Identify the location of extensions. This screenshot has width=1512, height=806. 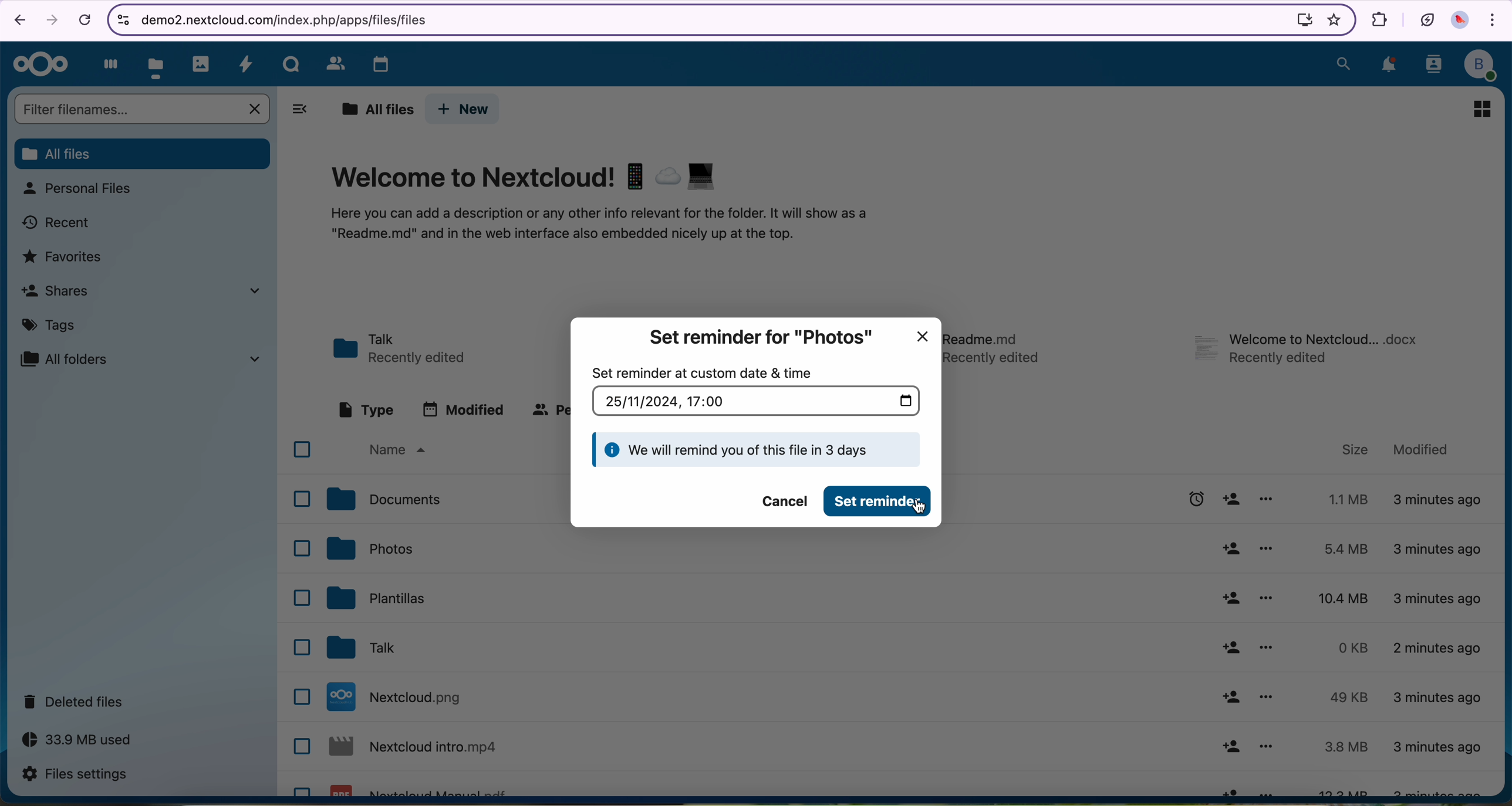
(1377, 18).